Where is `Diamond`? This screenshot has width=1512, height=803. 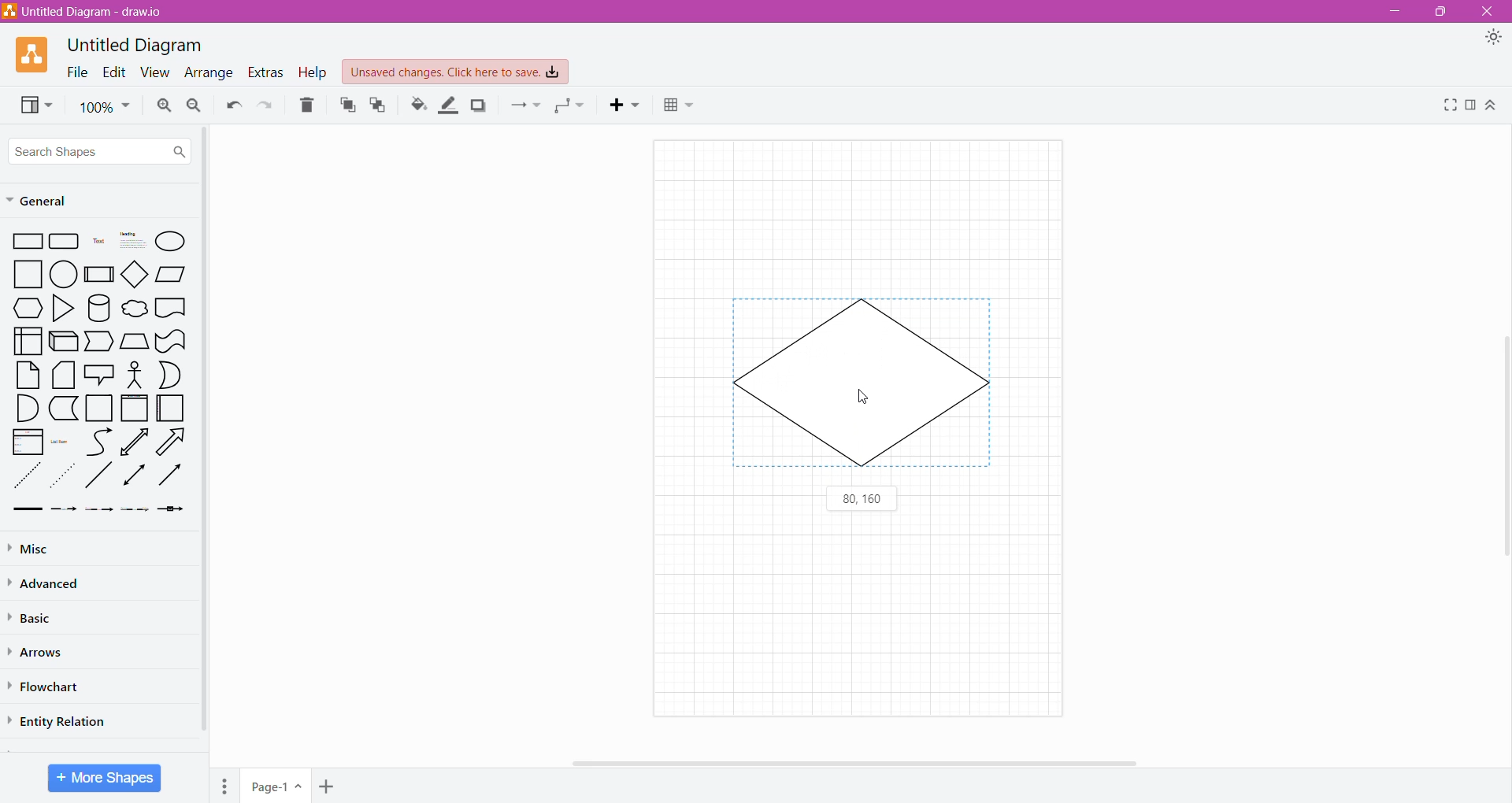
Diamond is located at coordinates (136, 276).